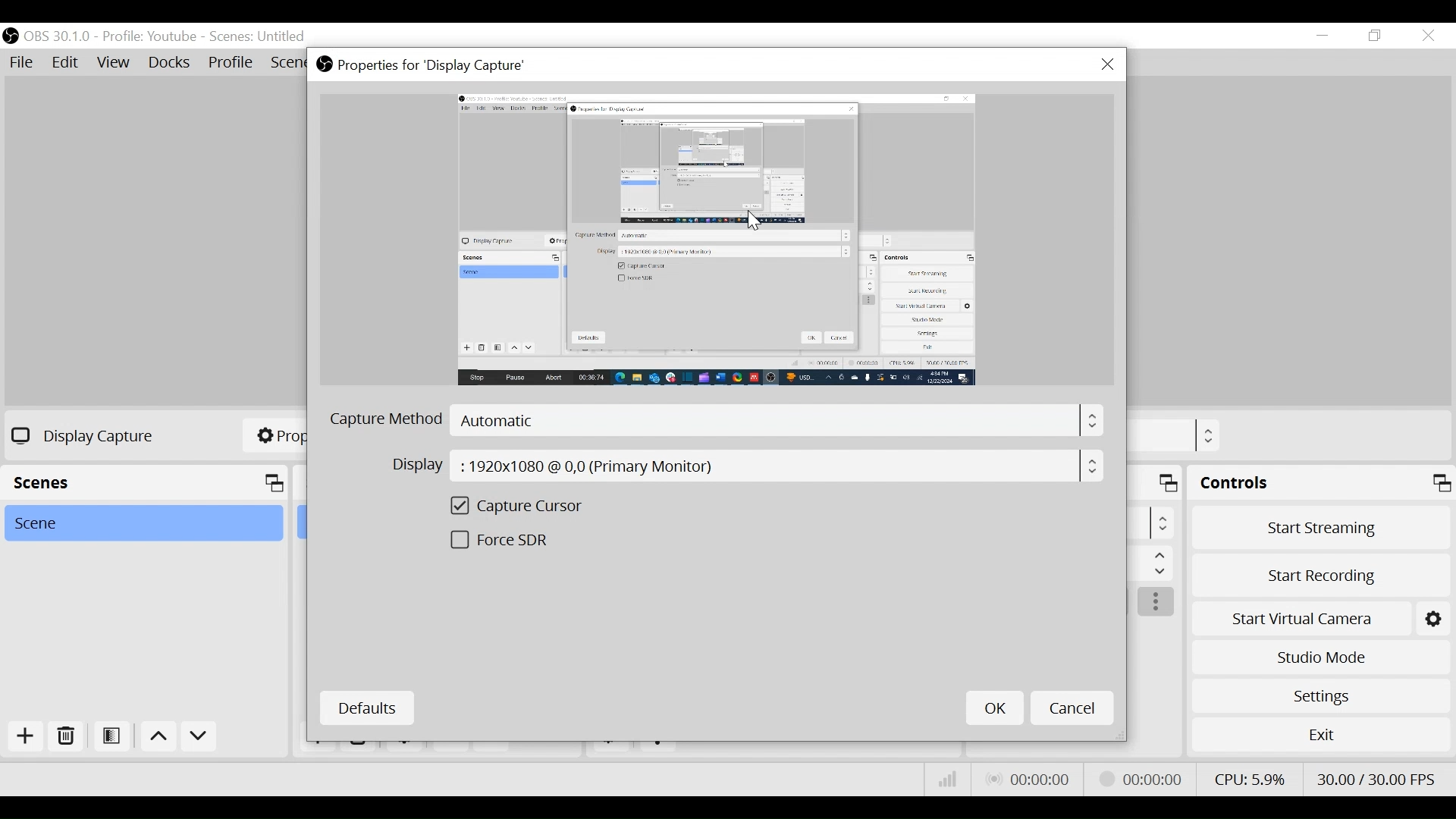  I want to click on Profile, so click(149, 37).